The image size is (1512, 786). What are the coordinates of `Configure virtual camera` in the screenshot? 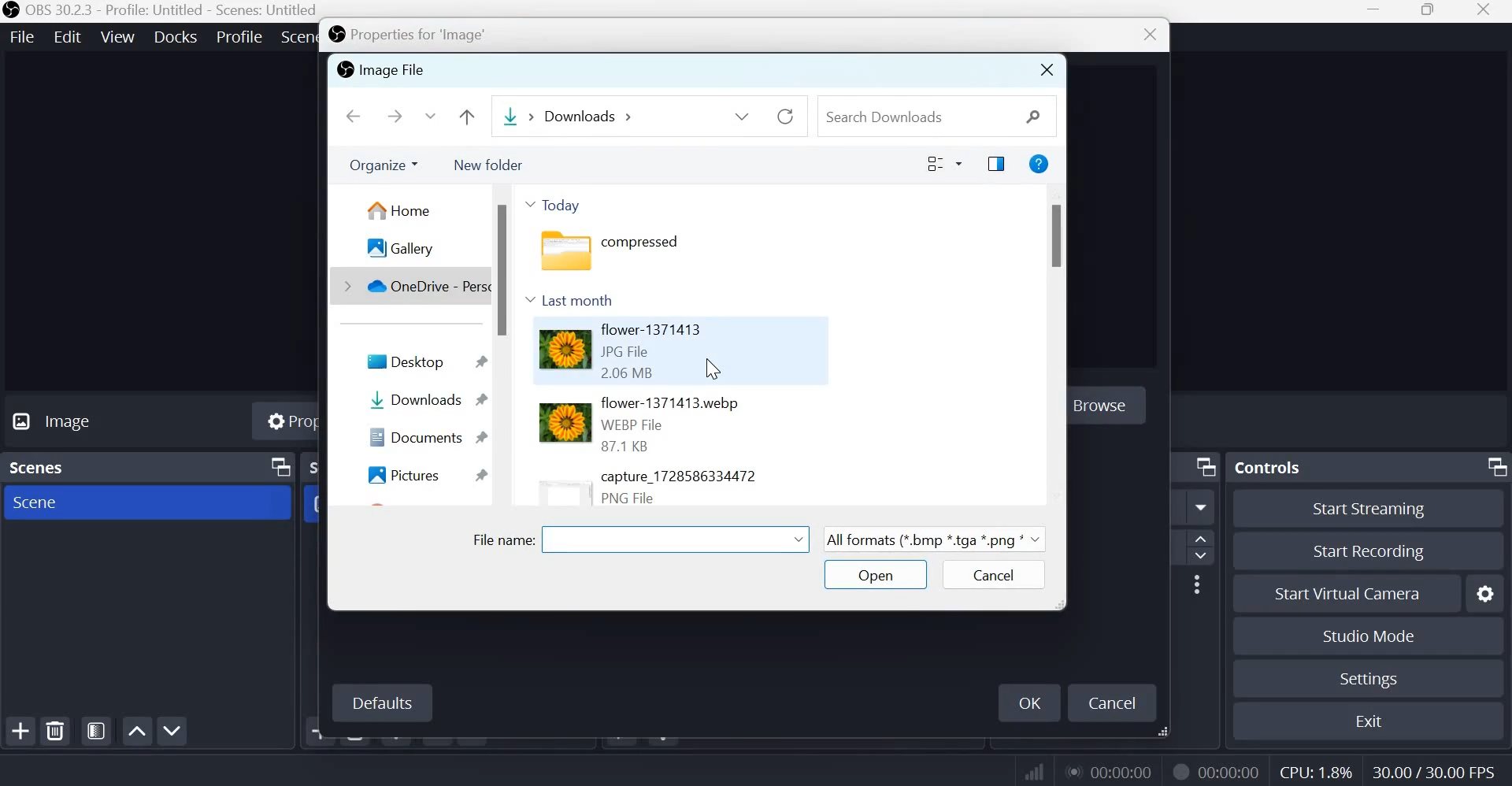 It's located at (1486, 591).